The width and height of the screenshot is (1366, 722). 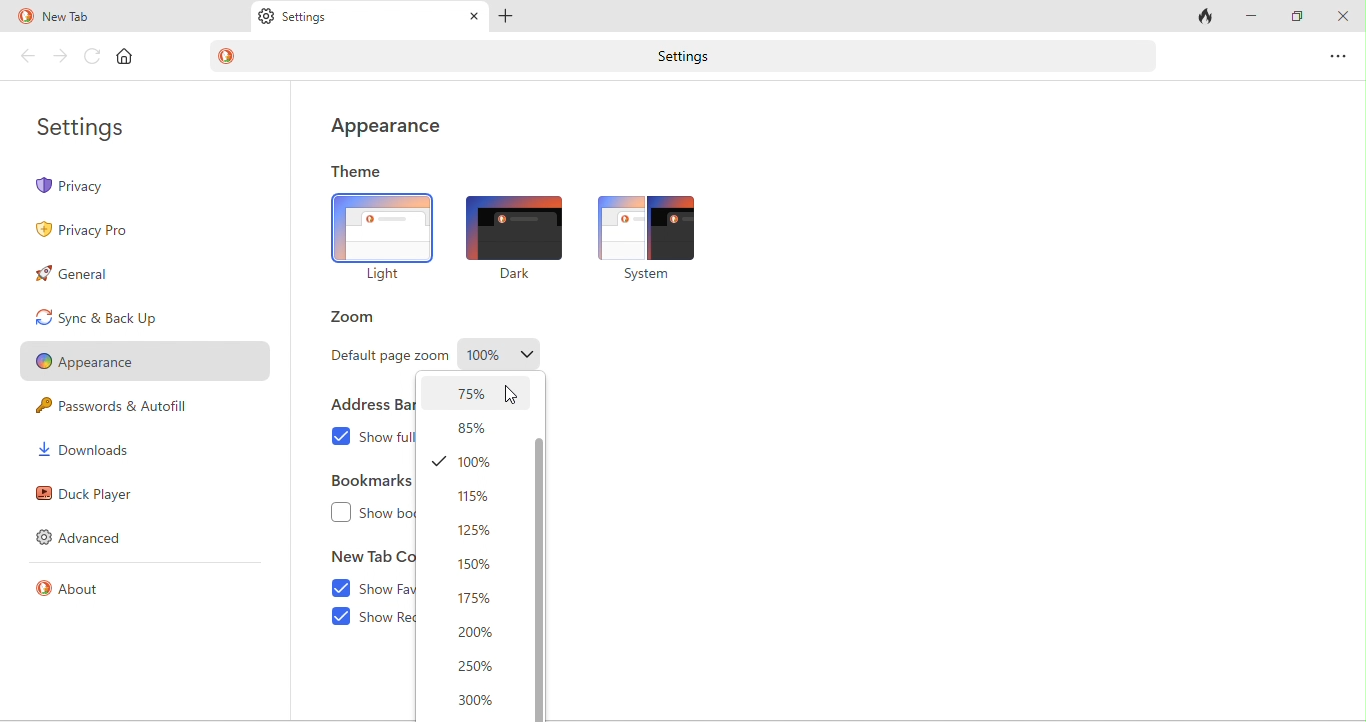 What do you see at coordinates (395, 126) in the screenshot?
I see `appearance` at bounding box center [395, 126].